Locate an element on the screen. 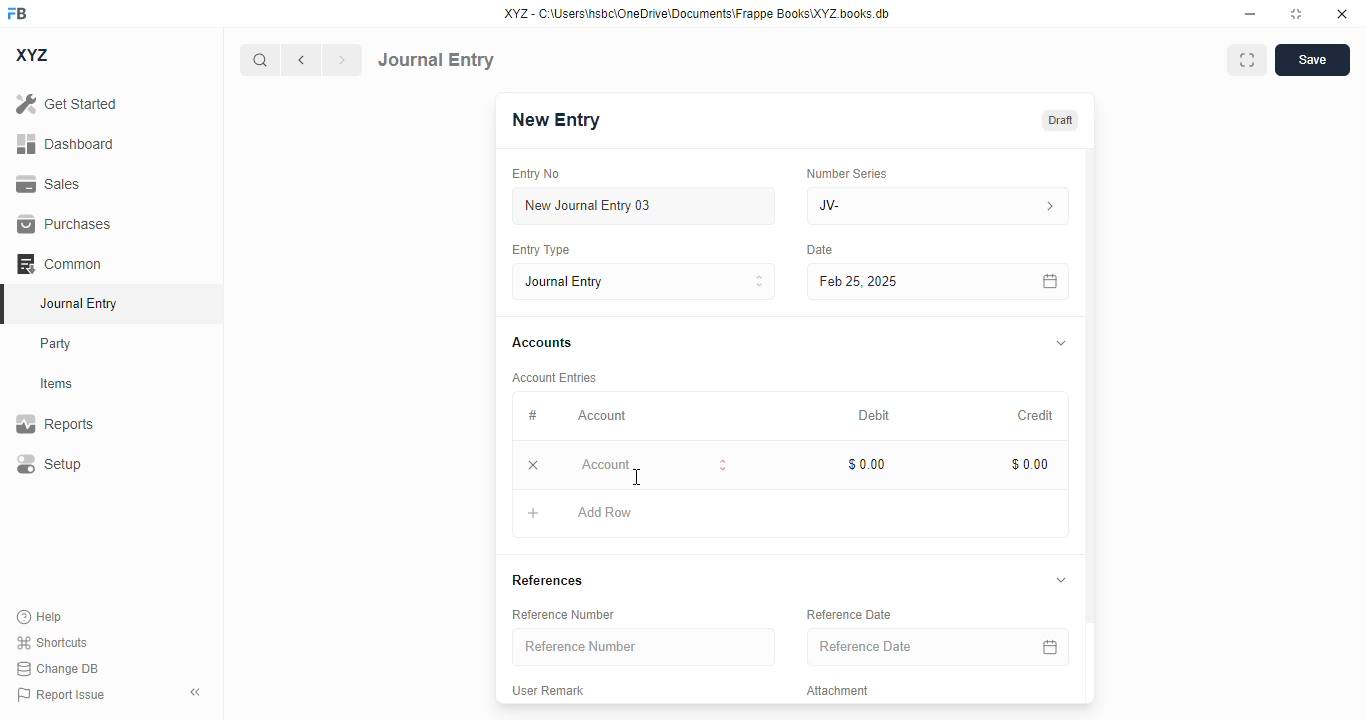 The image size is (1366, 720). cursor is located at coordinates (638, 477).